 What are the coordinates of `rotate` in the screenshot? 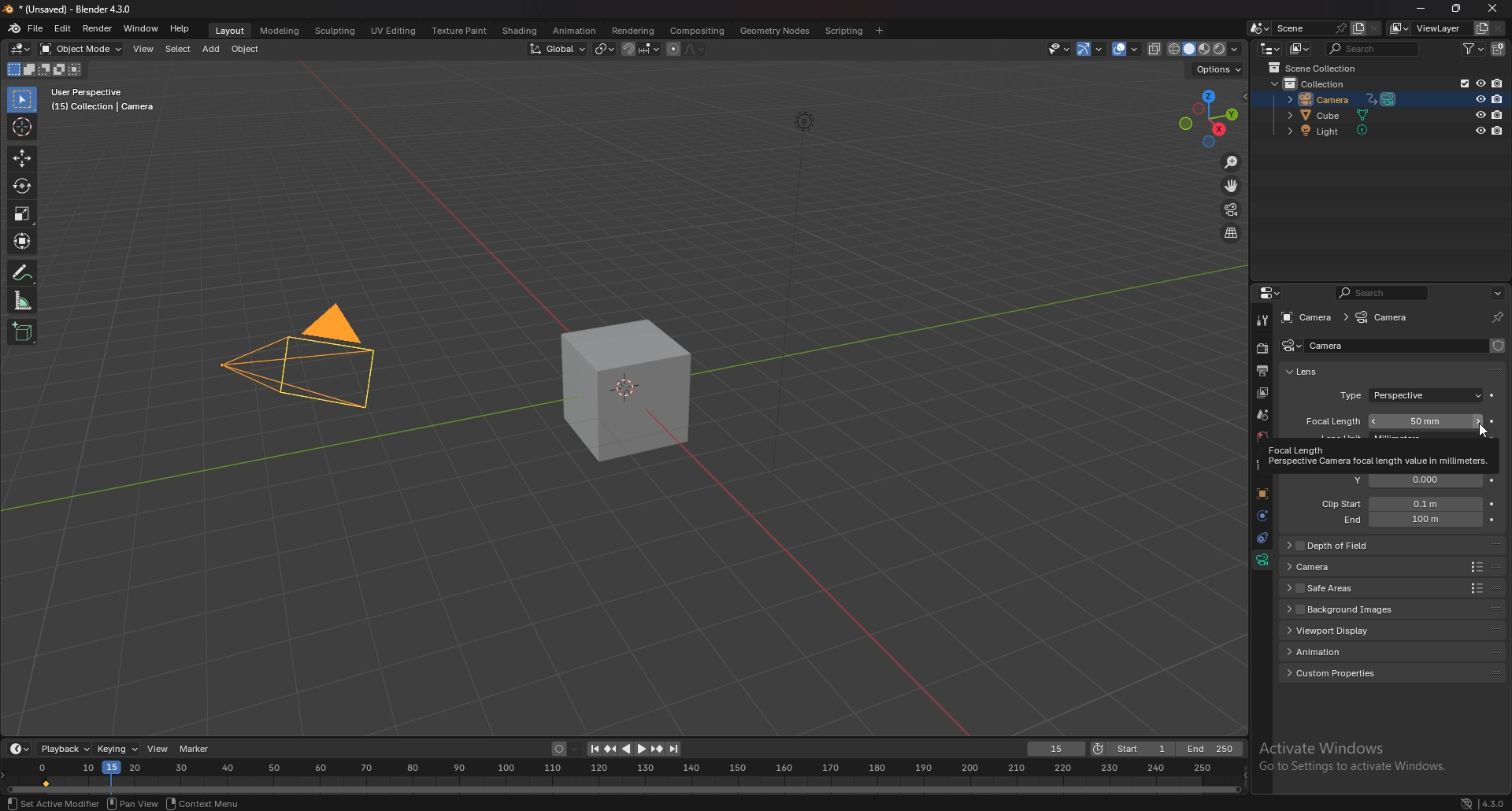 It's located at (21, 187).